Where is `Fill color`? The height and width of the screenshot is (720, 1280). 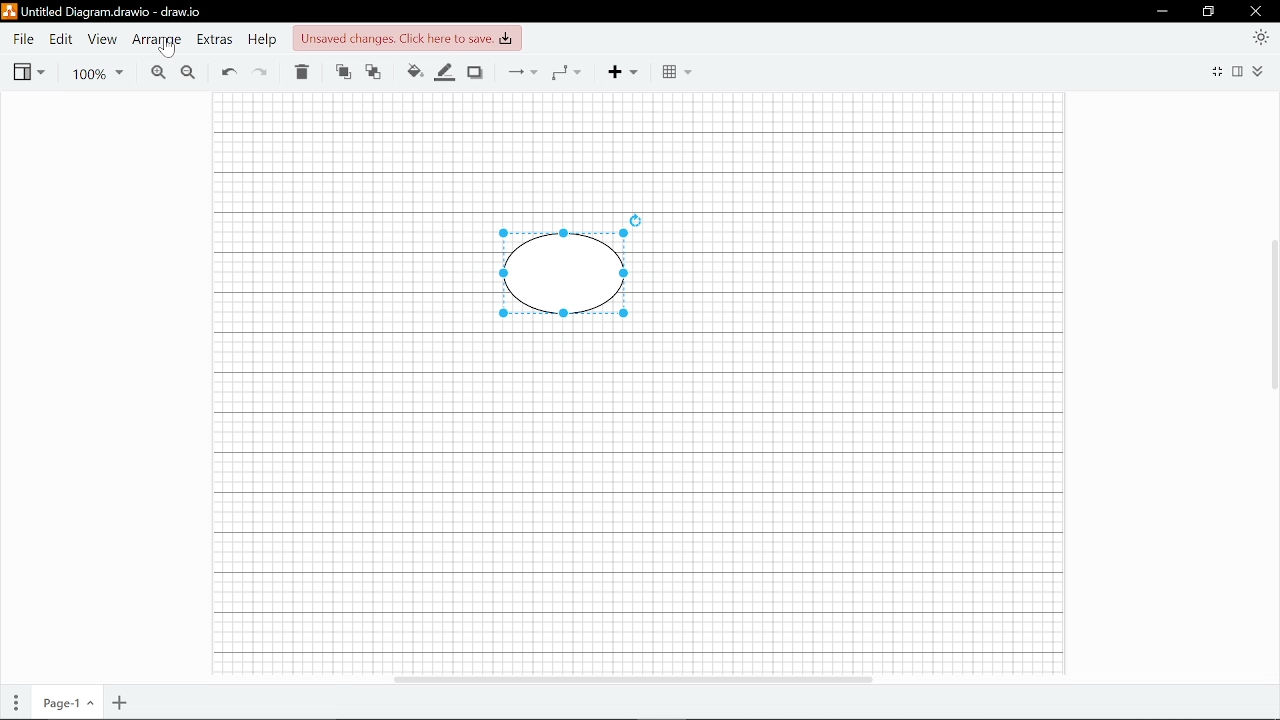 Fill color is located at coordinates (414, 72).